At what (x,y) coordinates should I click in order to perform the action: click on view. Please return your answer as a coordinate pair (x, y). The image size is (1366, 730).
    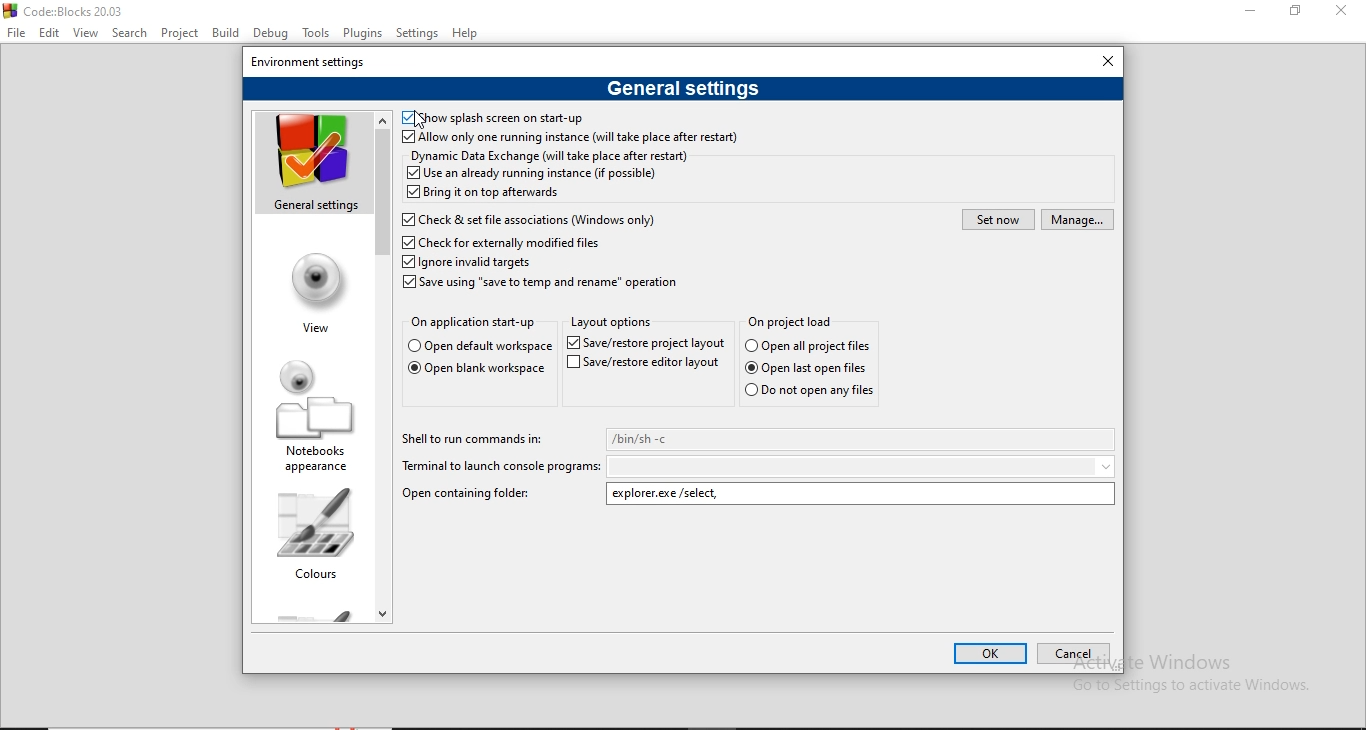
    Looking at the image, I should click on (313, 291).